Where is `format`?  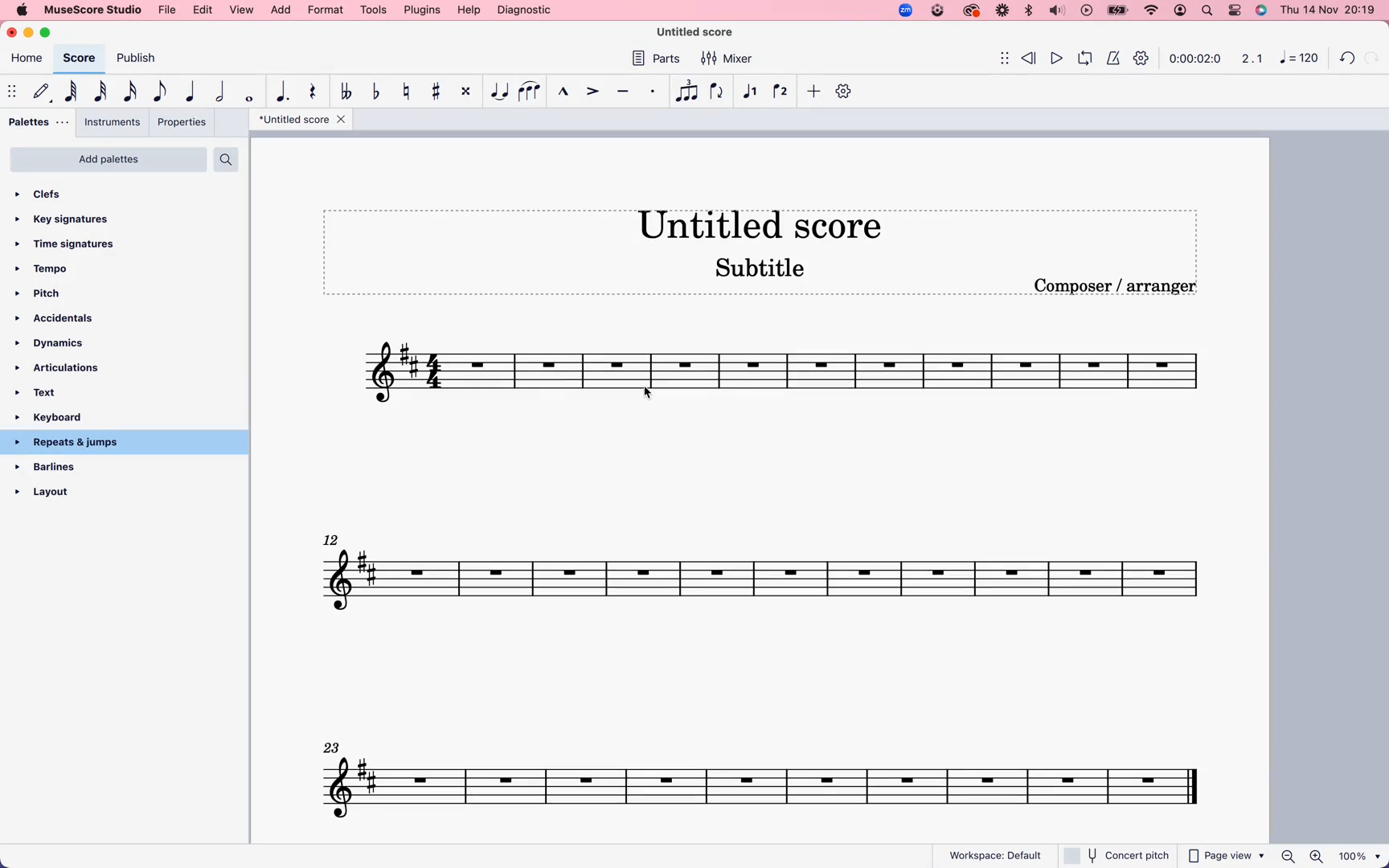
format is located at coordinates (325, 10).